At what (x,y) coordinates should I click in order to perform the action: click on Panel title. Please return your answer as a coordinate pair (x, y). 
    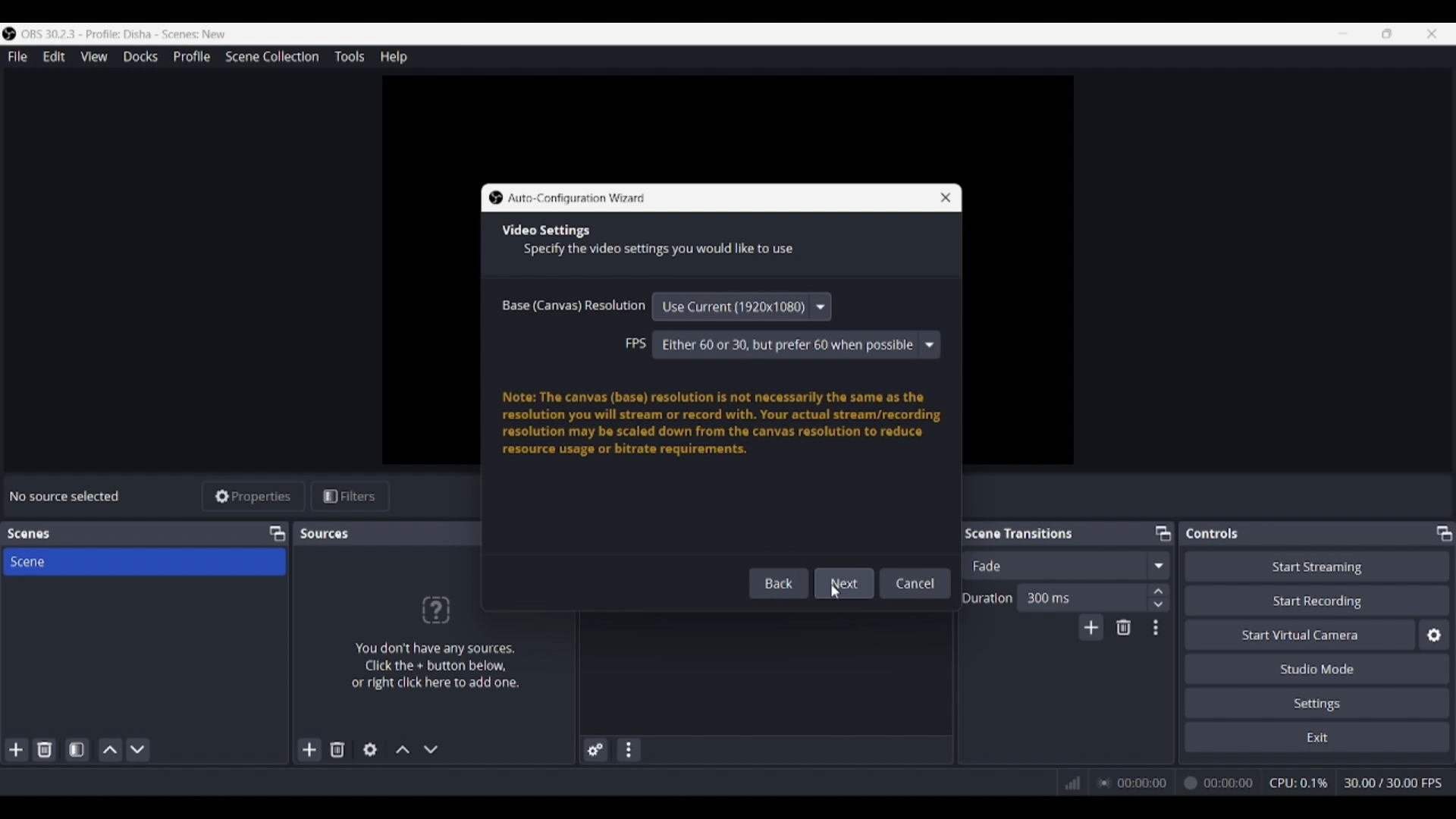
    Looking at the image, I should click on (326, 533).